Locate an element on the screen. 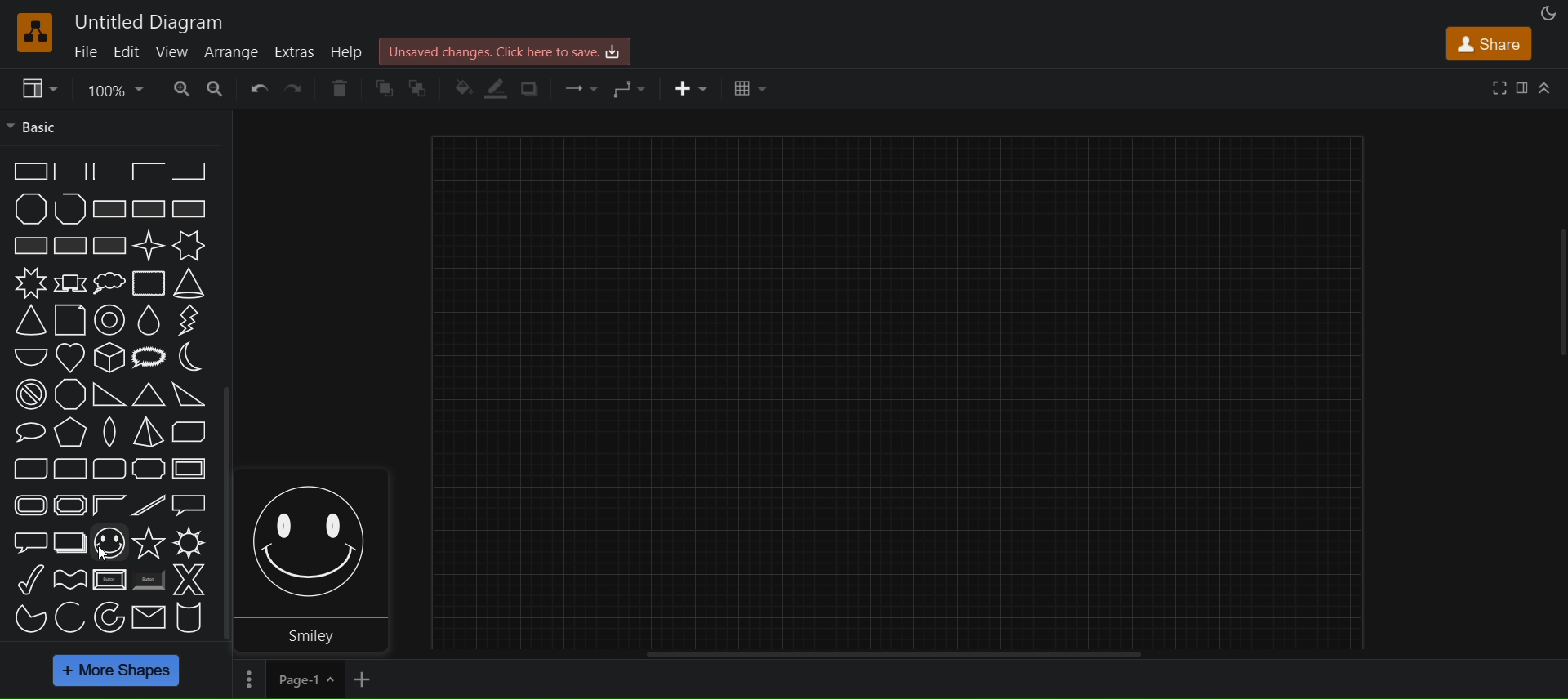 This screenshot has height=699, width=1568. cone is located at coordinates (189, 283).